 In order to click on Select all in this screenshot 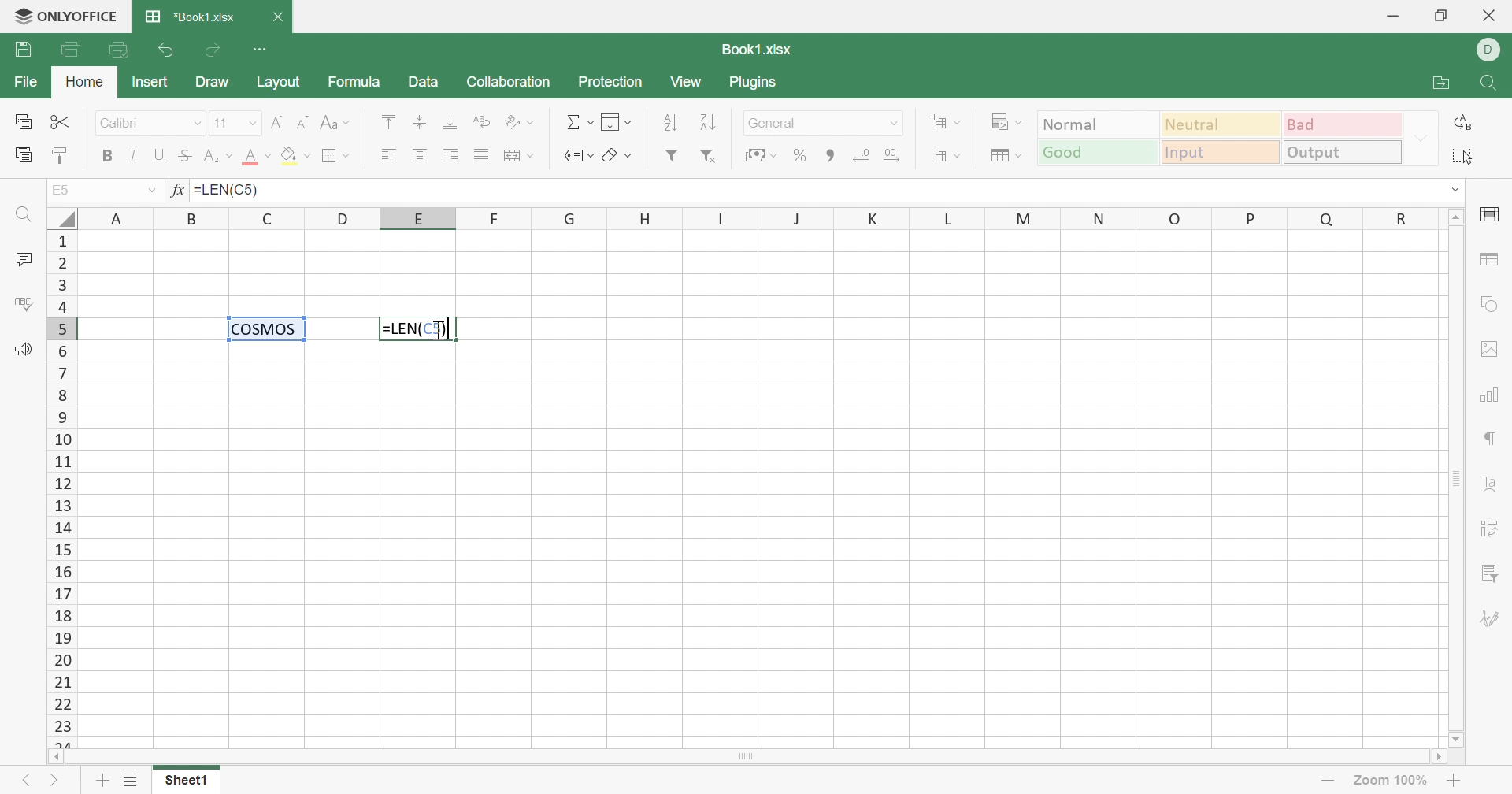, I will do `click(1462, 155)`.